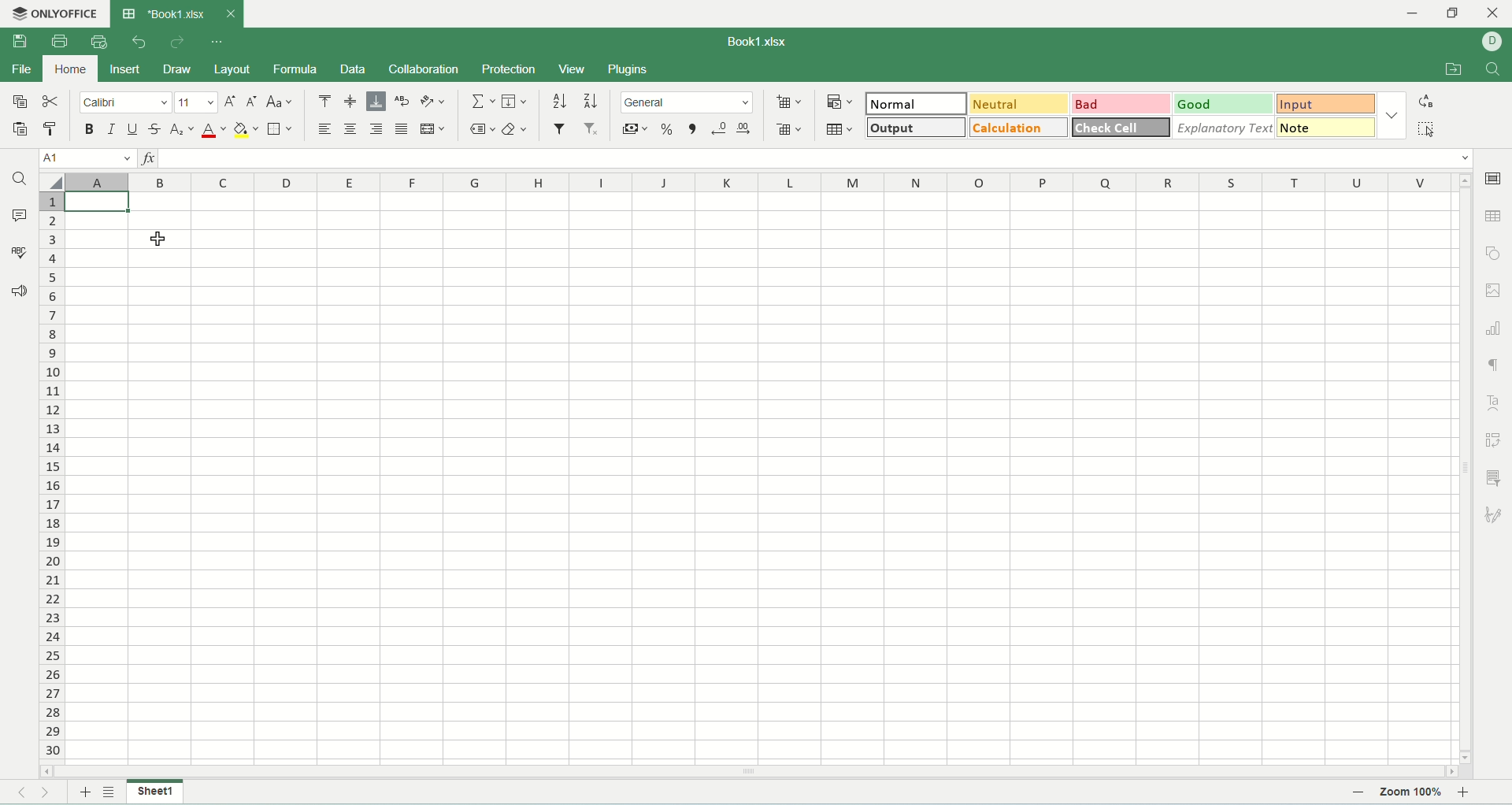  What do you see at coordinates (246, 131) in the screenshot?
I see `fill color` at bounding box center [246, 131].